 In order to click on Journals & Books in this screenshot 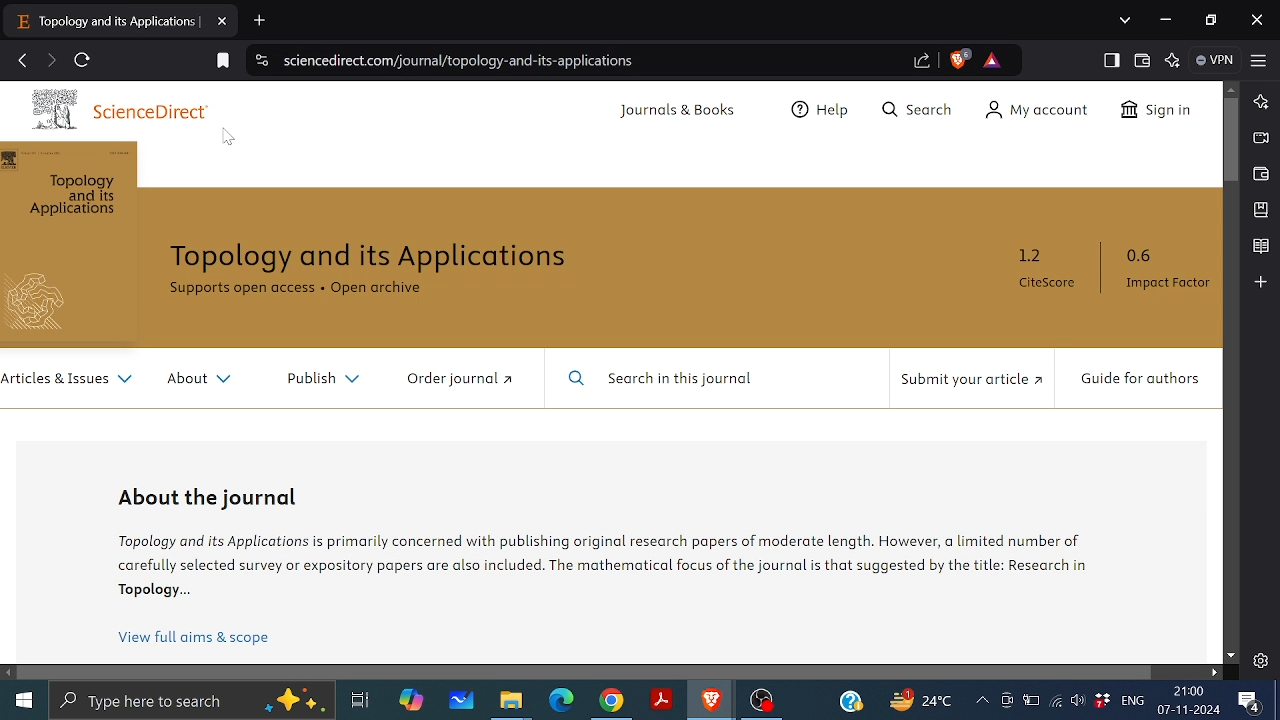, I will do `click(673, 112)`.